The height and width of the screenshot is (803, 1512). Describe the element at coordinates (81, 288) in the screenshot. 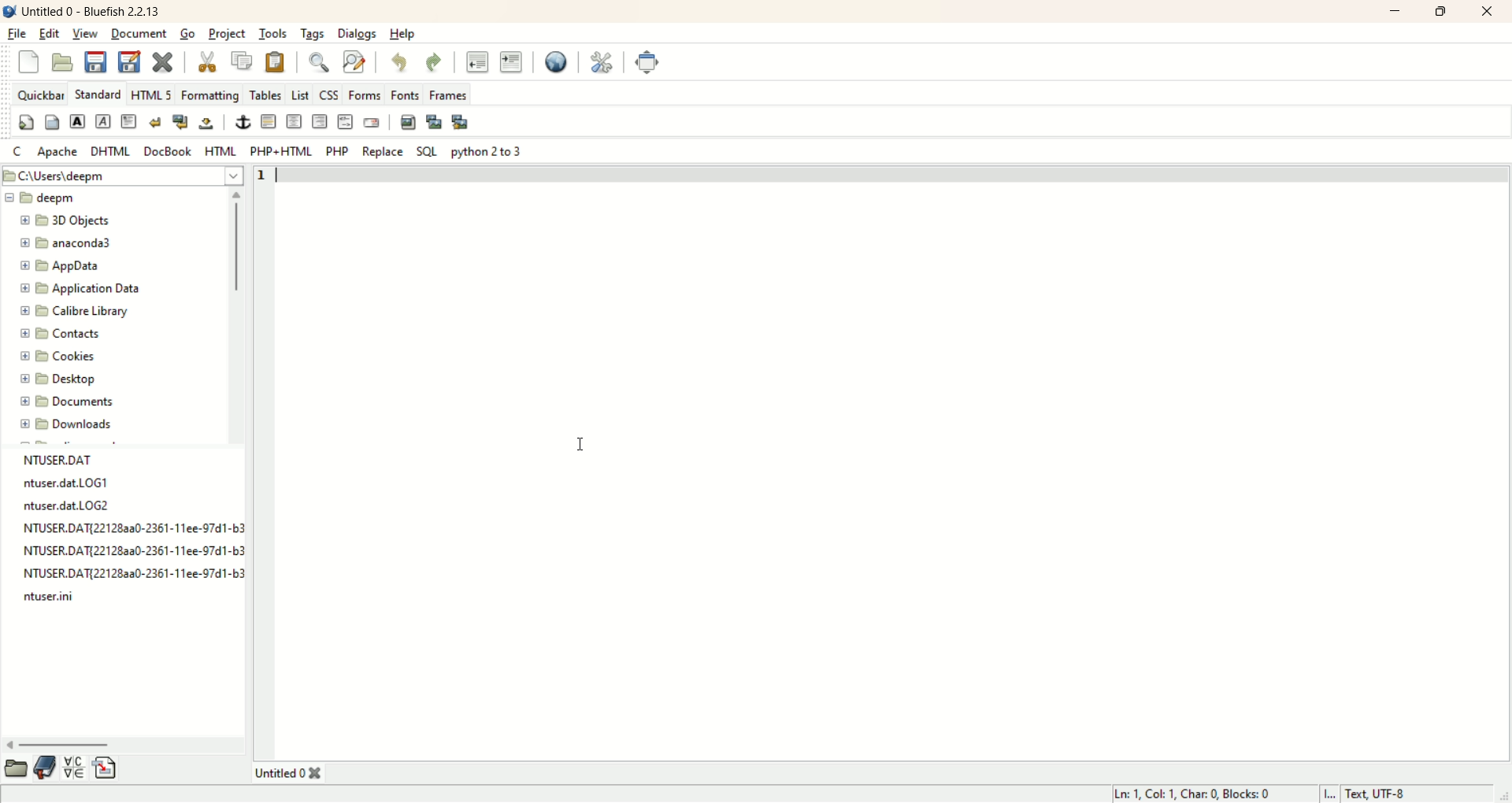

I see `application` at that location.